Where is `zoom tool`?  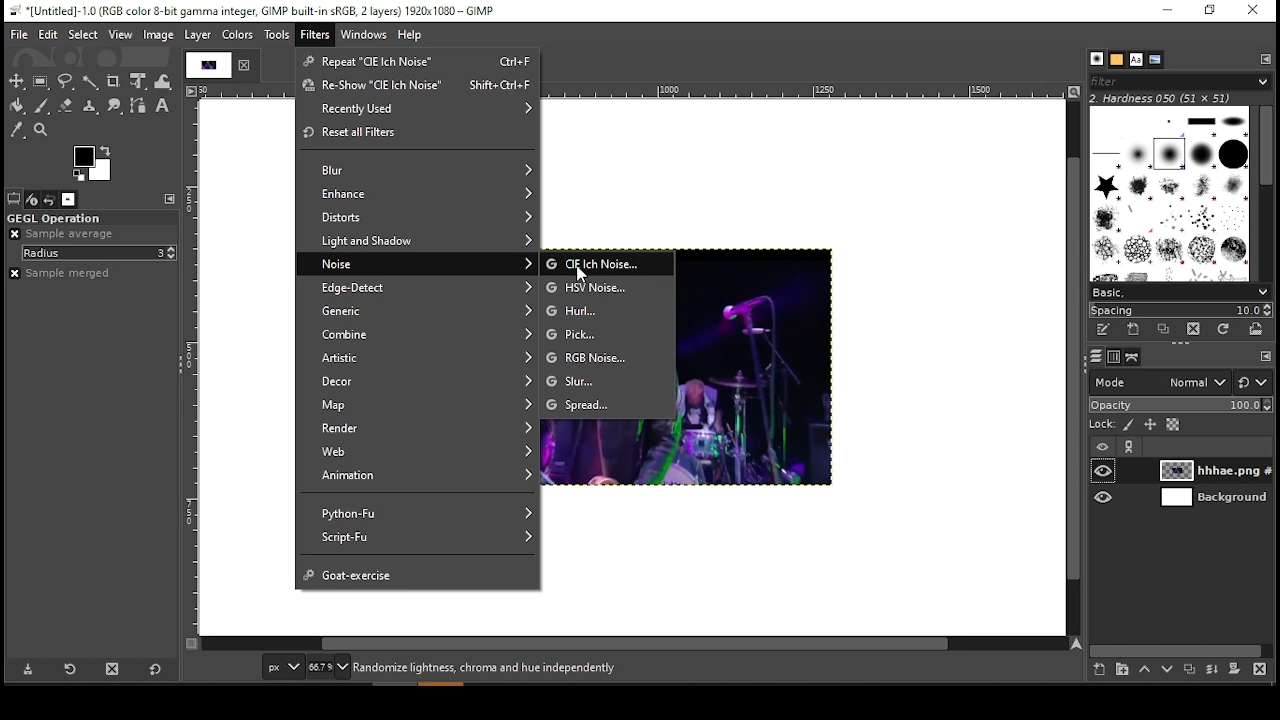
zoom tool is located at coordinates (42, 132).